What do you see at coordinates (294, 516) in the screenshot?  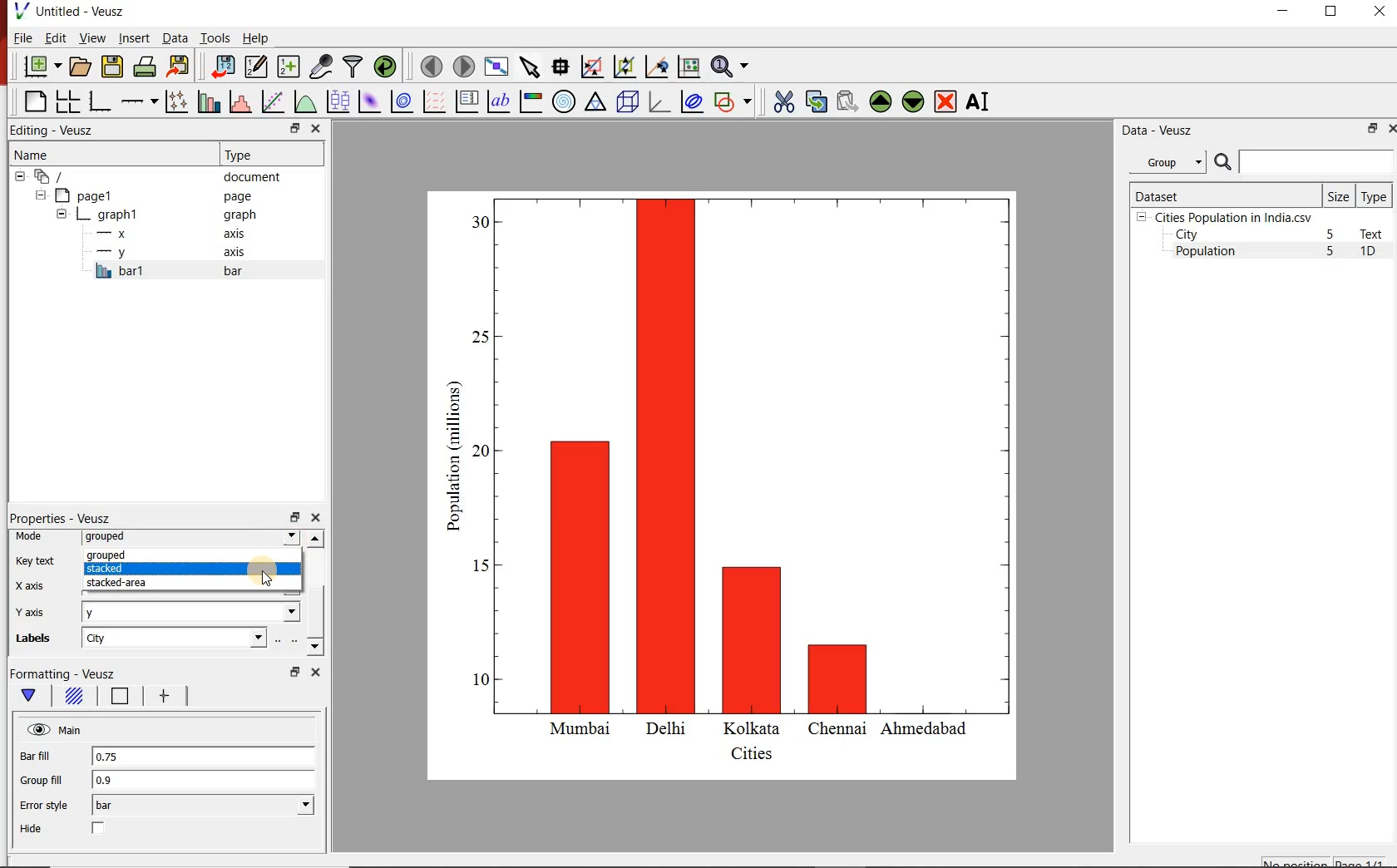 I see `restore` at bounding box center [294, 516].